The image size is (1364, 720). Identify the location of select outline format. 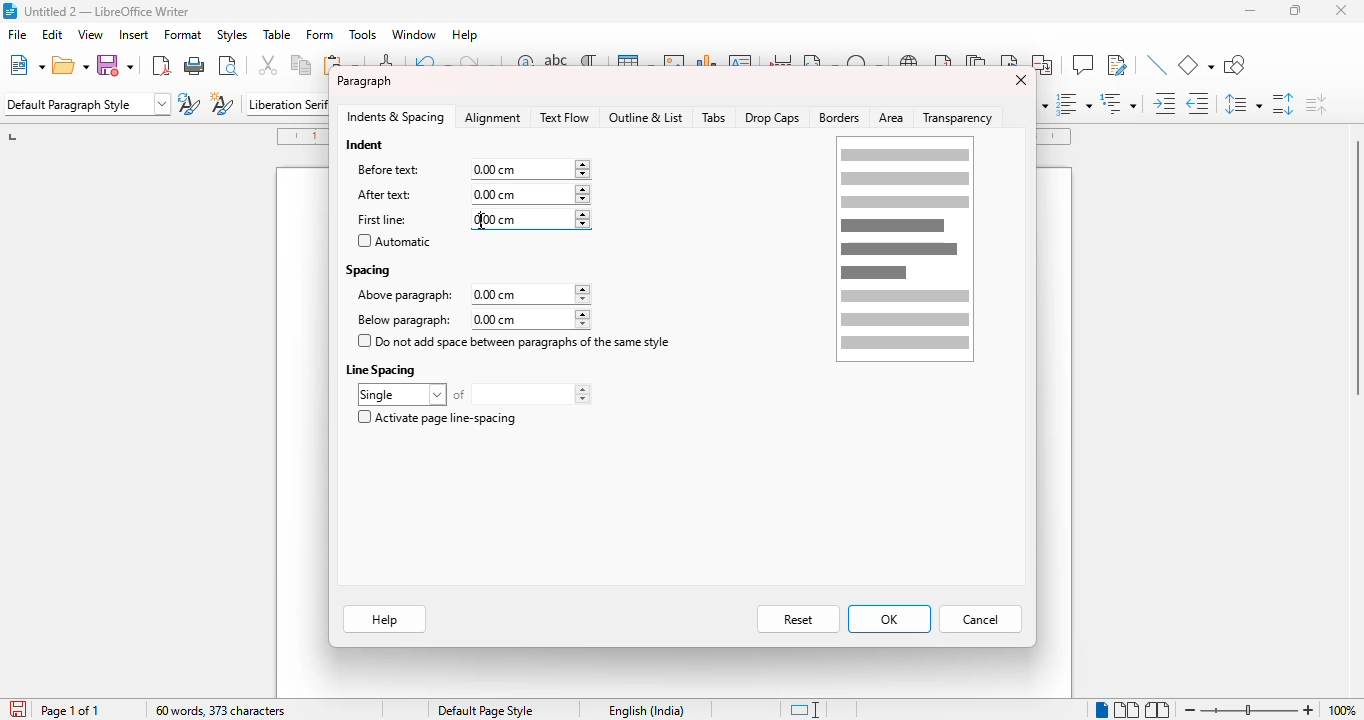
(1119, 103).